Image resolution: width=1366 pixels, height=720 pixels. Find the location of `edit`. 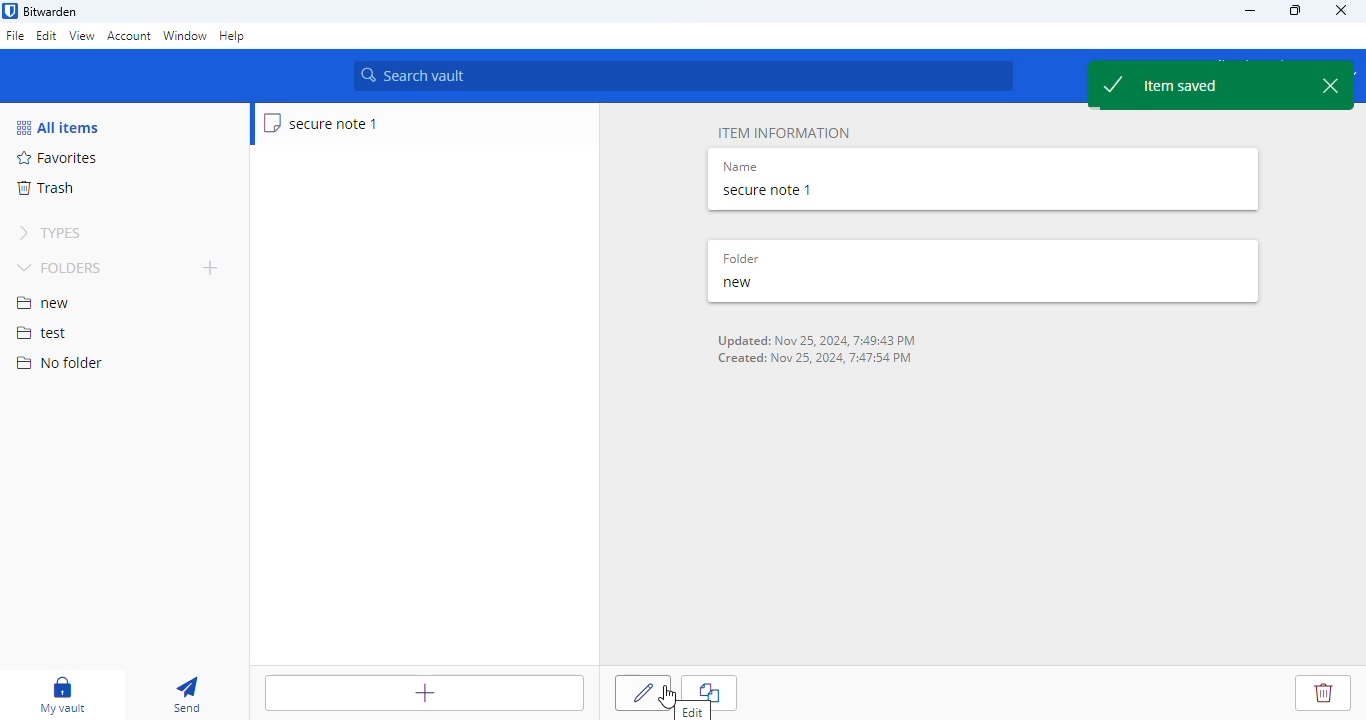

edit is located at coordinates (643, 693).